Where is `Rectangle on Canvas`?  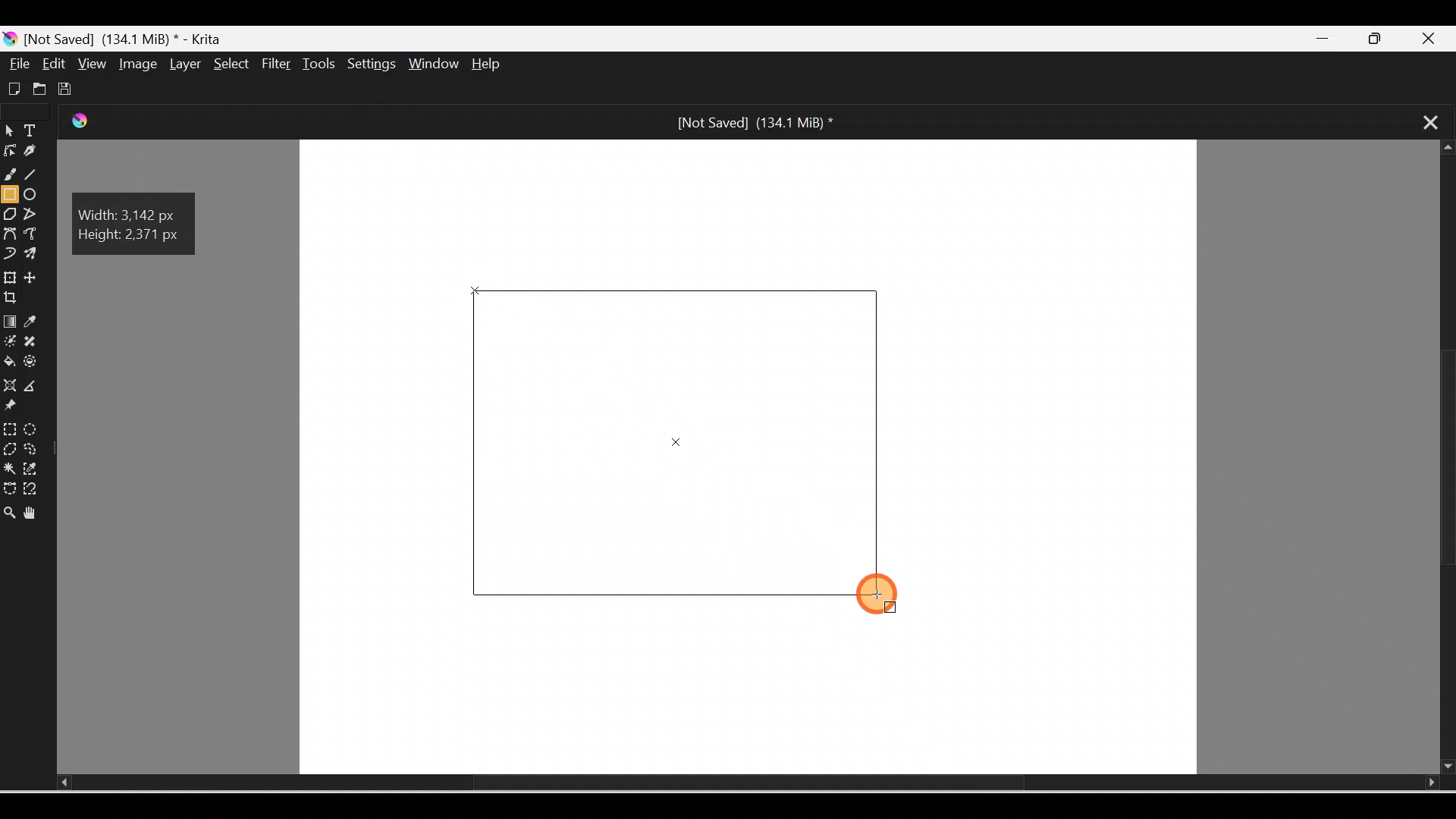
Rectangle on Canvas is located at coordinates (681, 441).